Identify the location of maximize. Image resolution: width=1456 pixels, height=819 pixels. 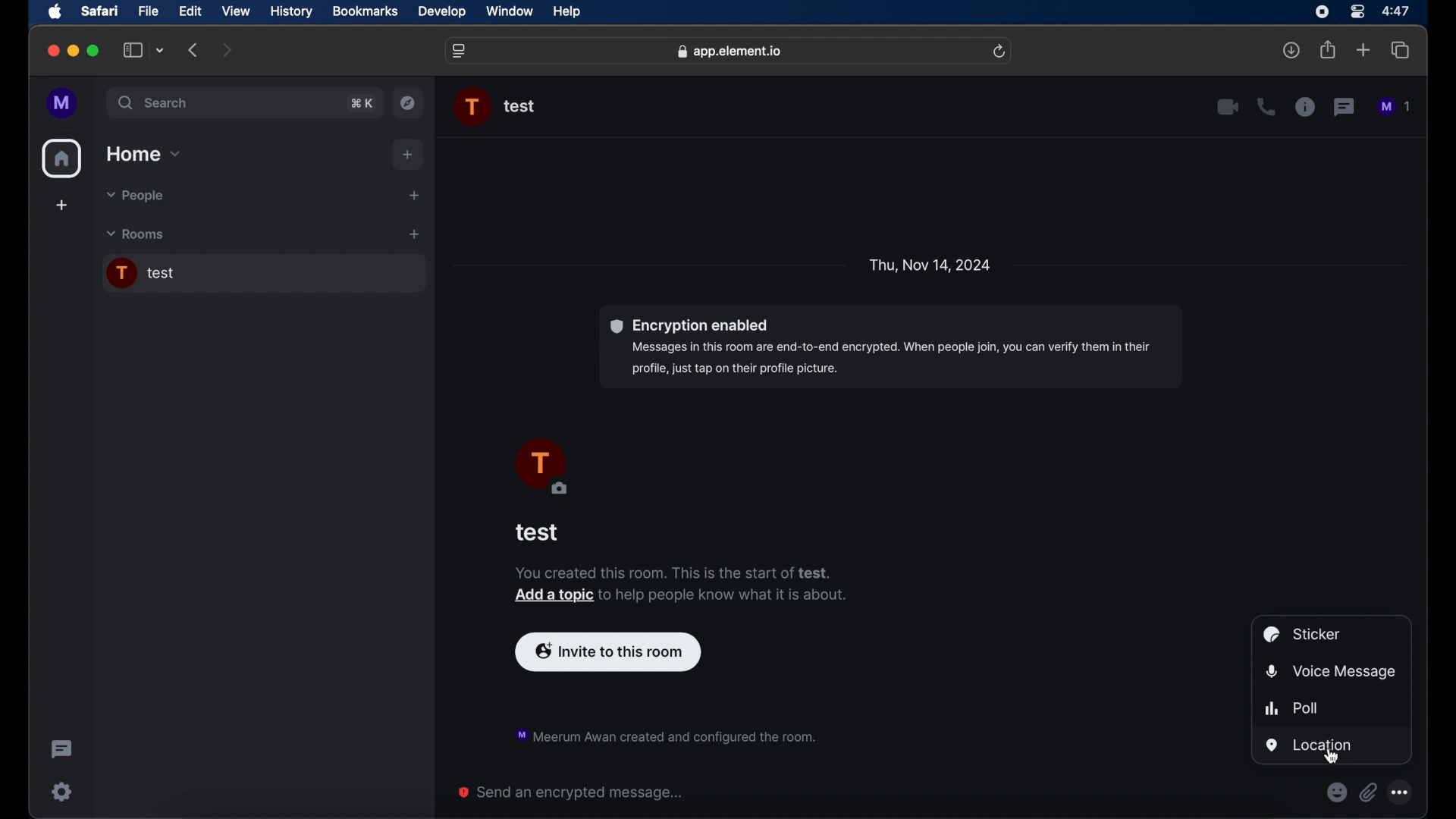
(94, 51).